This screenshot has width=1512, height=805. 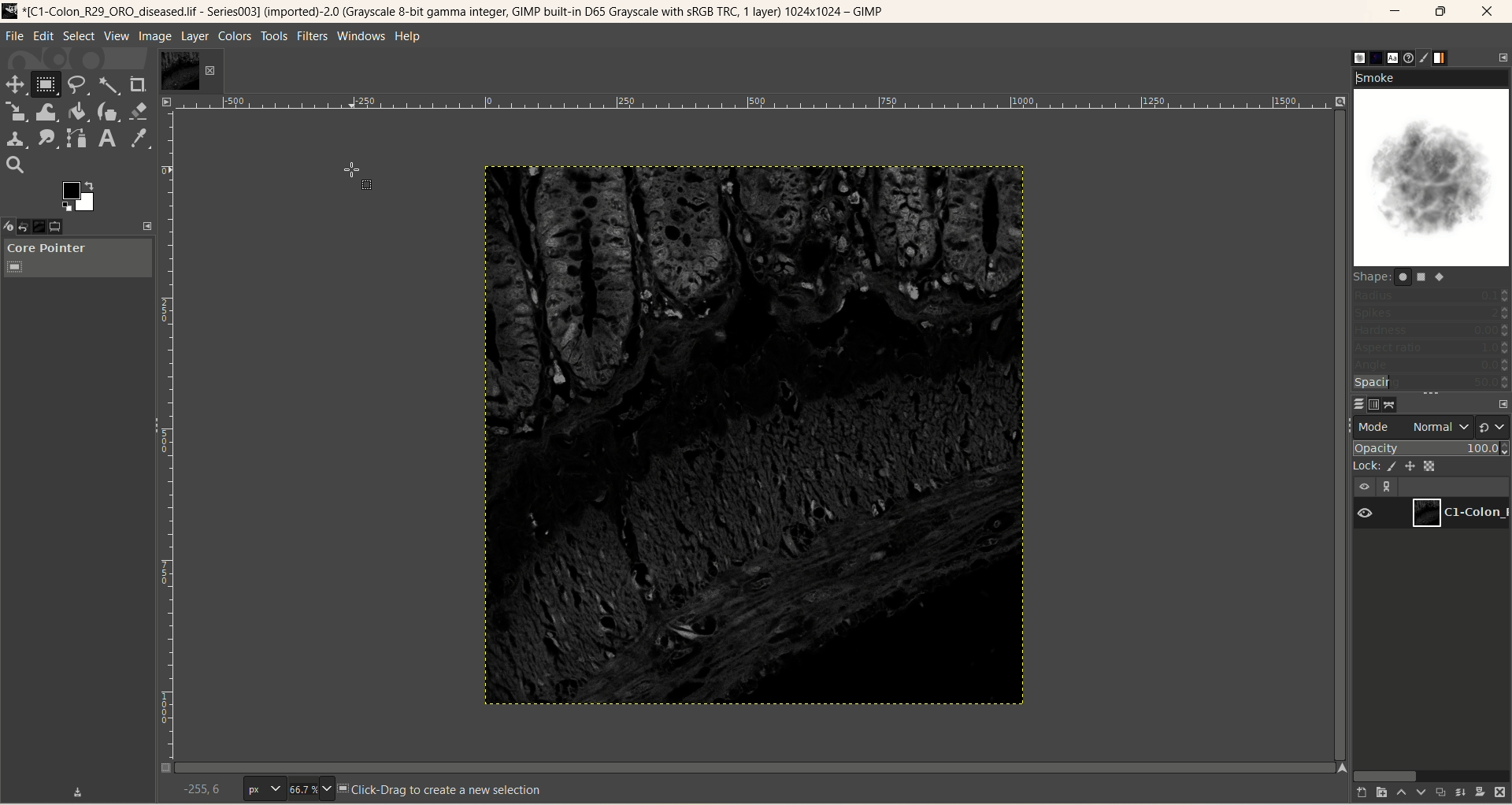 I want to click on tool option, so click(x=57, y=226).